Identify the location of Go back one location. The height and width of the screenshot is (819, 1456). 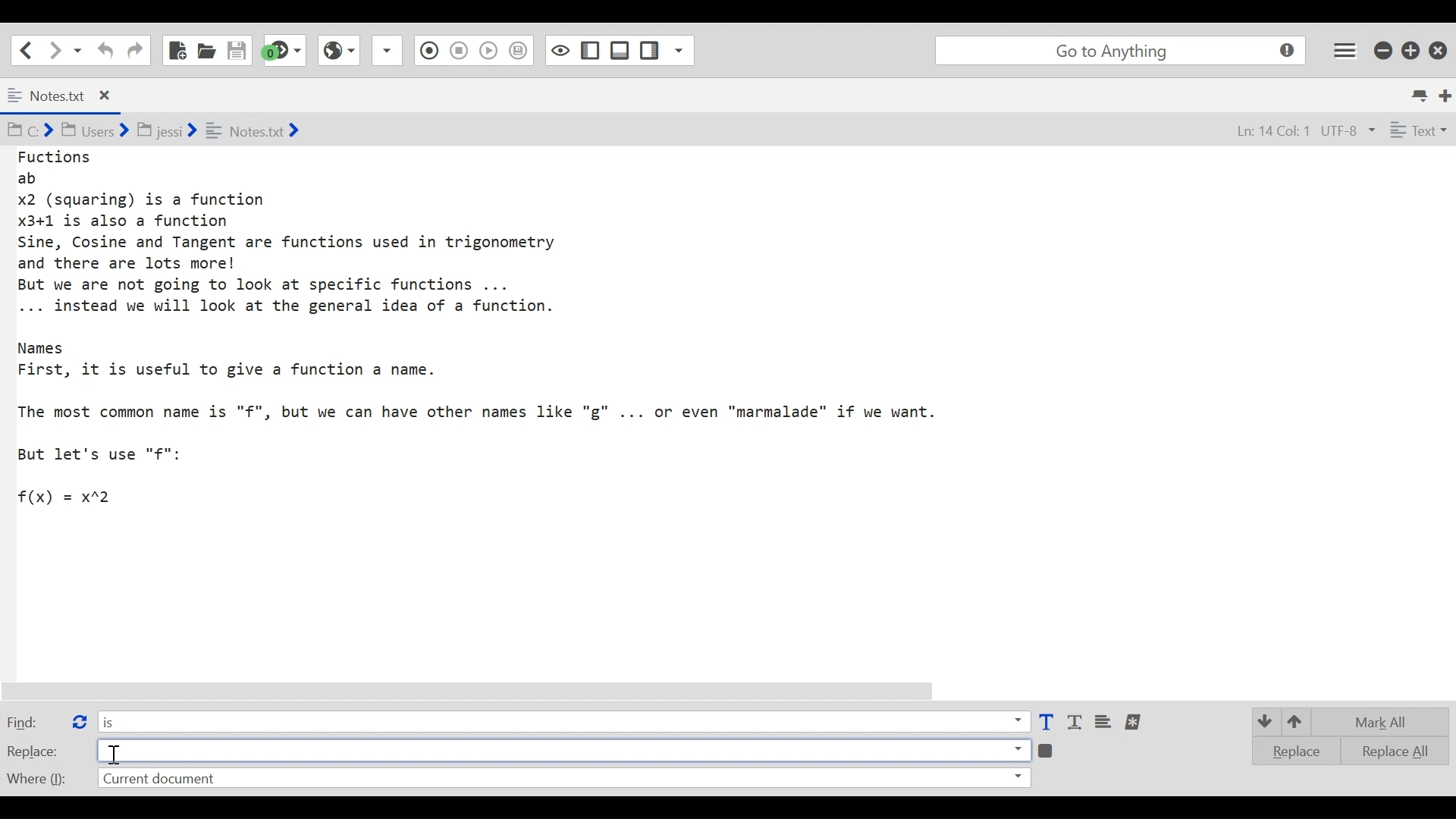
(22, 49).